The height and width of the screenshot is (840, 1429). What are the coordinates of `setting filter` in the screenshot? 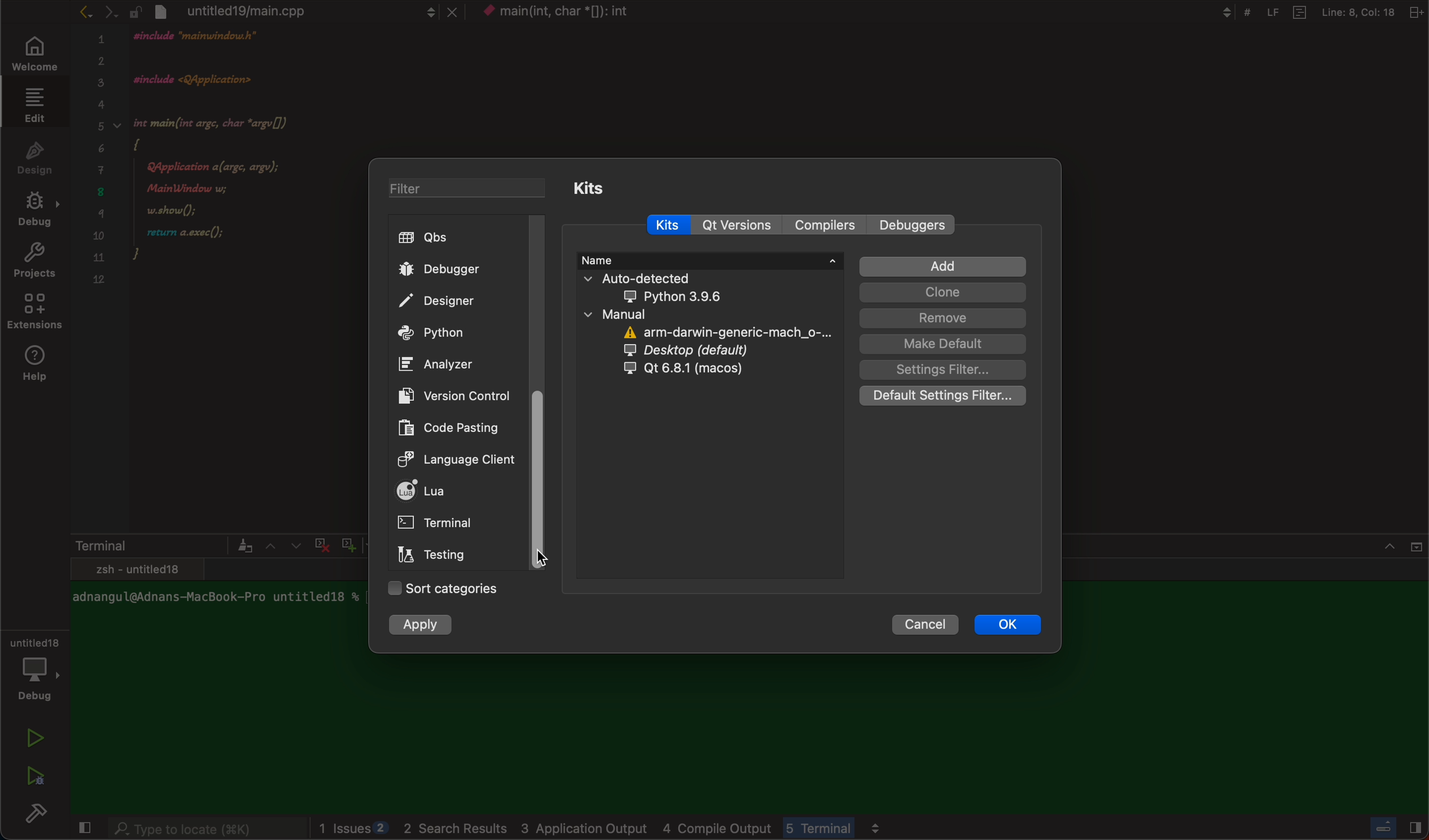 It's located at (941, 370).